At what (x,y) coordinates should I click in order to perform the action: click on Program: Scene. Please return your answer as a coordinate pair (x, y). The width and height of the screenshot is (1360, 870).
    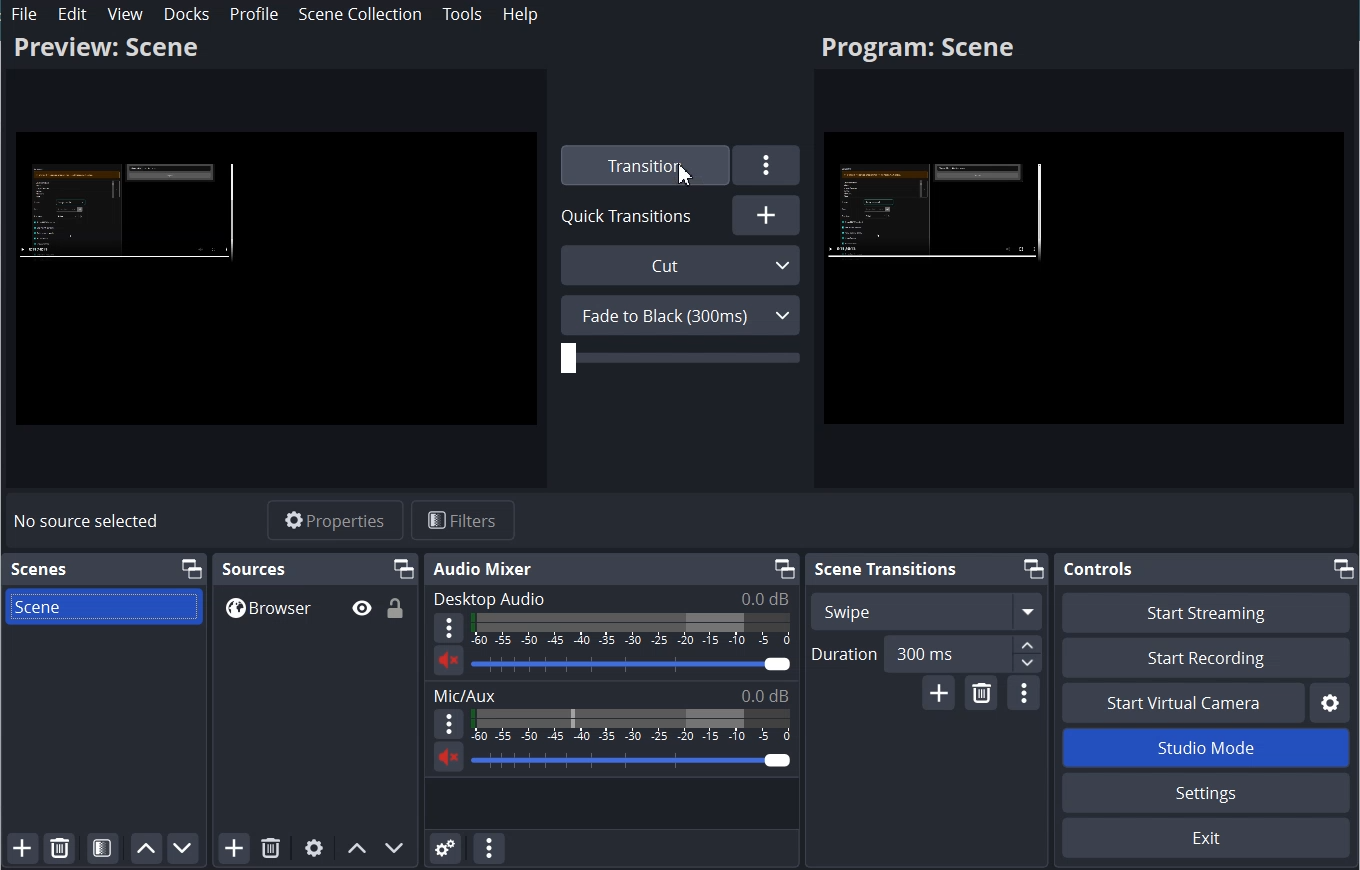
    Looking at the image, I should click on (105, 46).